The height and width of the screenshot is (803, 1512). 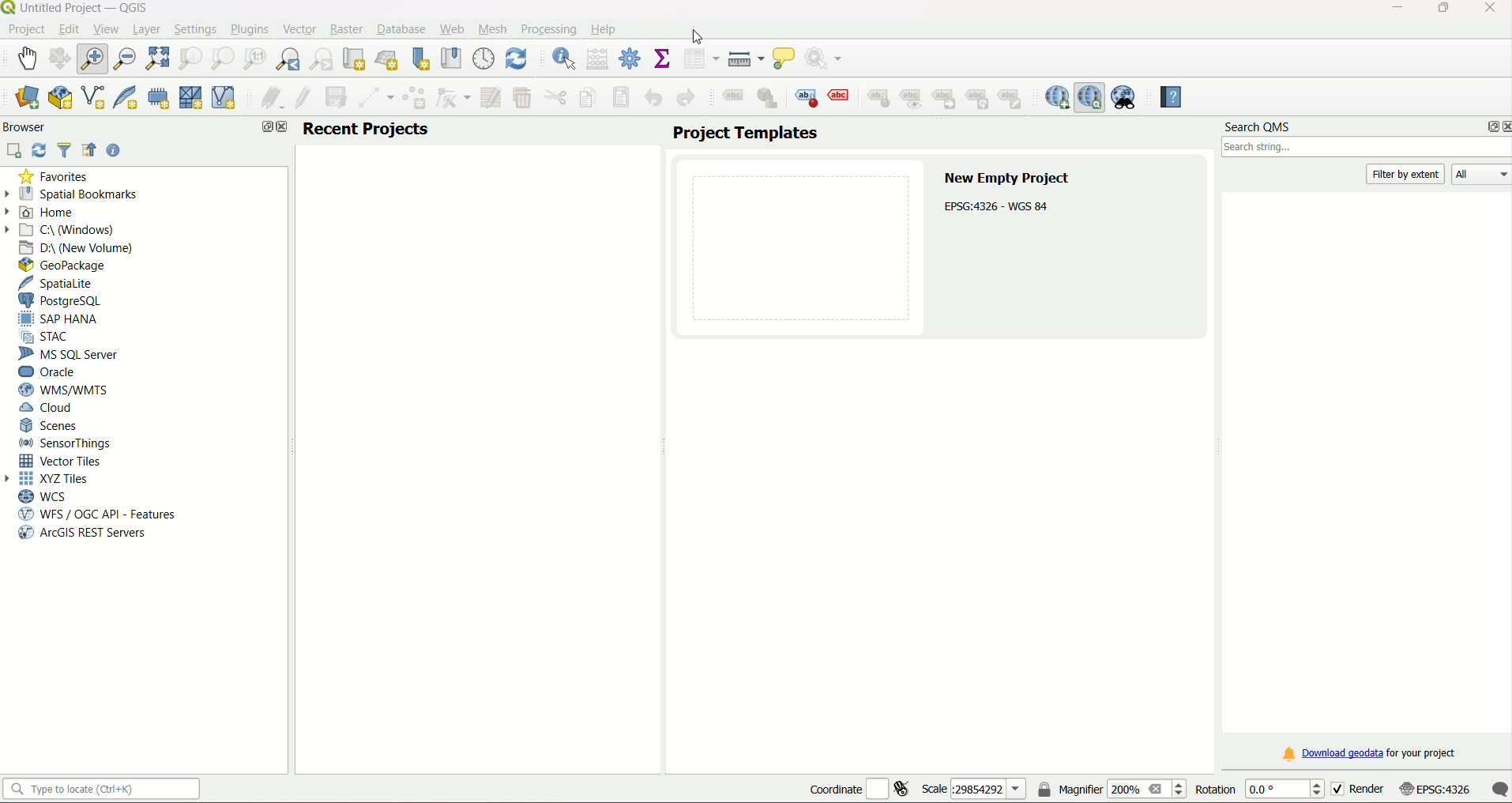 What do you see at coordinates (97, 515) in the screenshot?
I see `WFS/OGC API-Features` at bounding box center [97, 515].